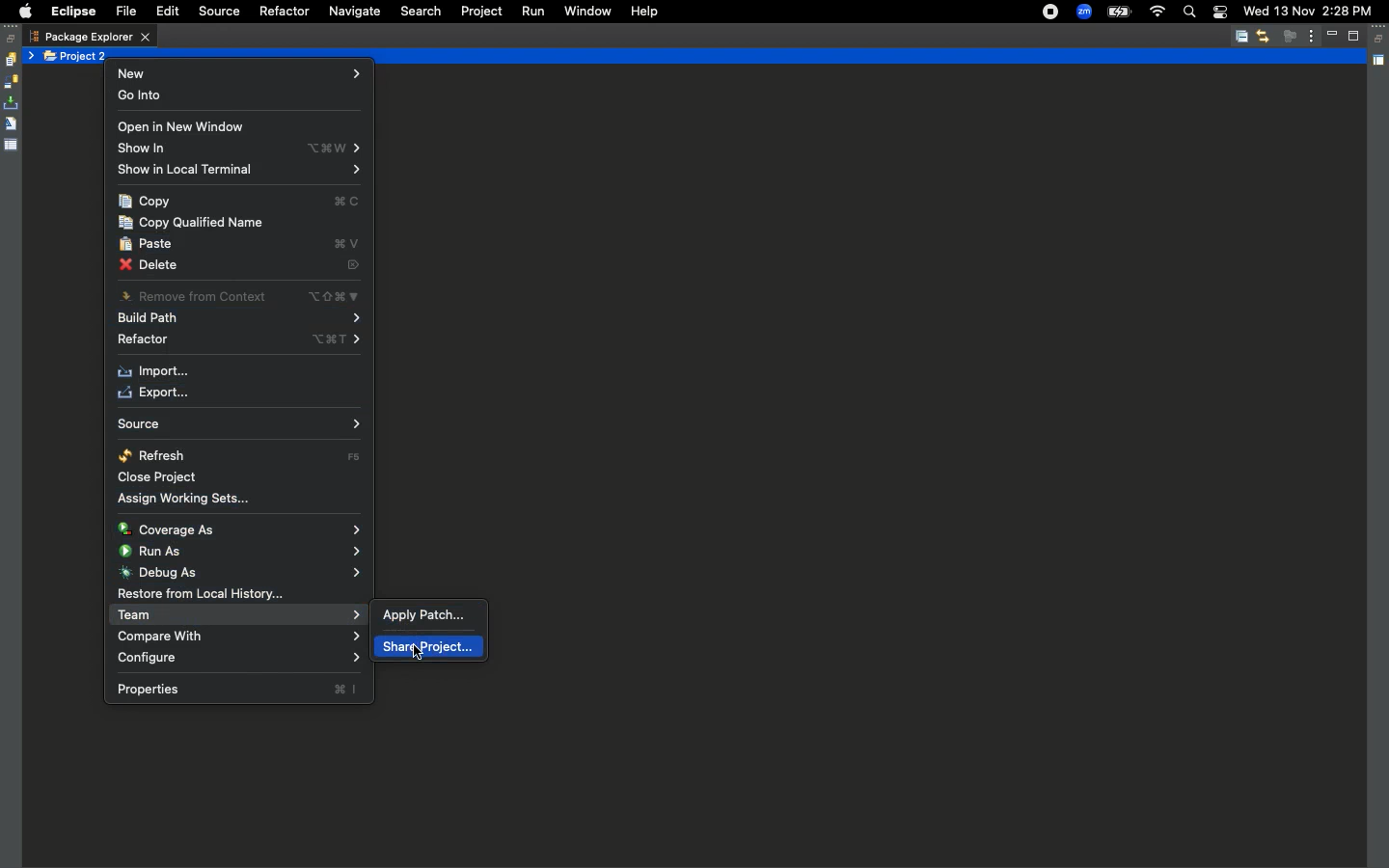 This screenshot has height=868, width=1389. What do you see at coordinates (238, 320) in the screenshot?
I see `Build path` at bounding box center [238, 320].